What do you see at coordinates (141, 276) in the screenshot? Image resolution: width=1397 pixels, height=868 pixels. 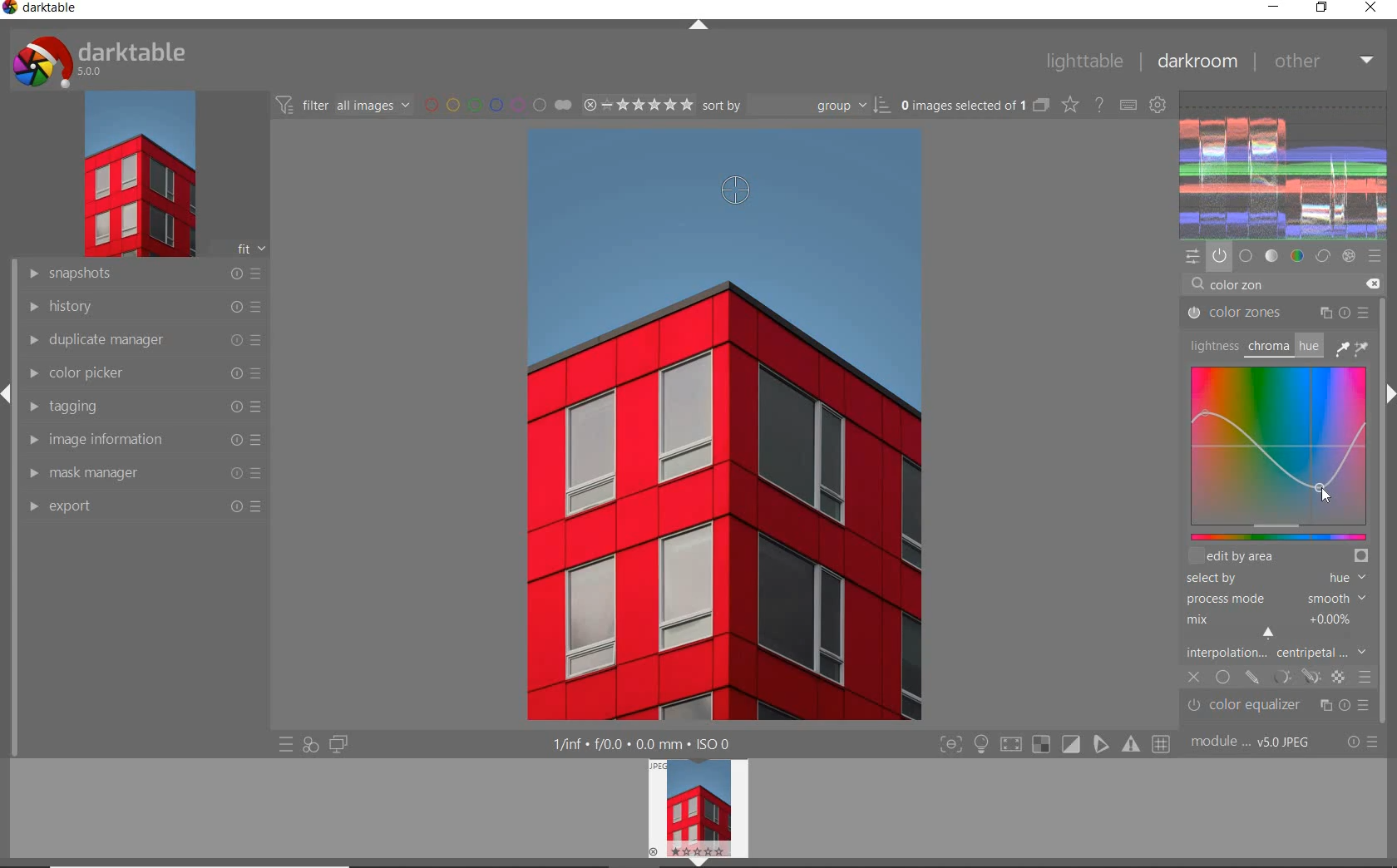 I see `snapshots` at bounding box center [141, 276].